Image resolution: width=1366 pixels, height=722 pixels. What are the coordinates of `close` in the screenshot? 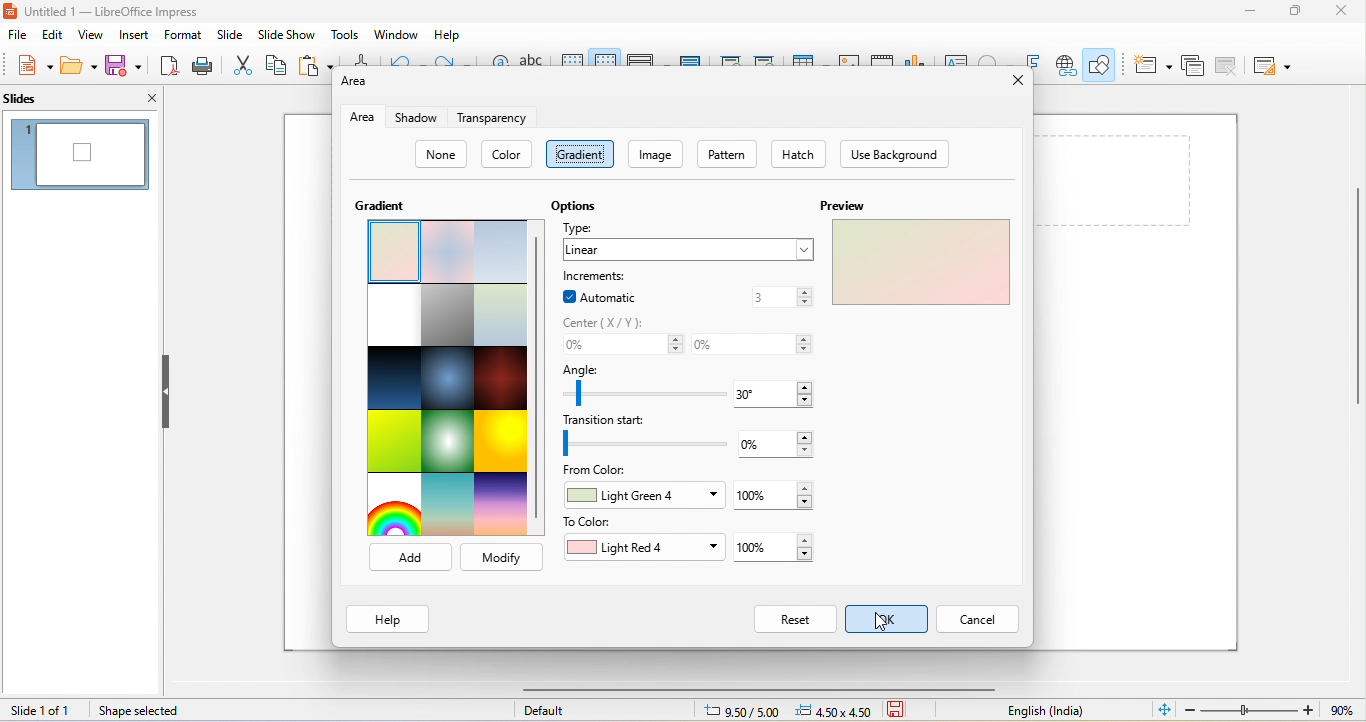 It's located at (138, 97).